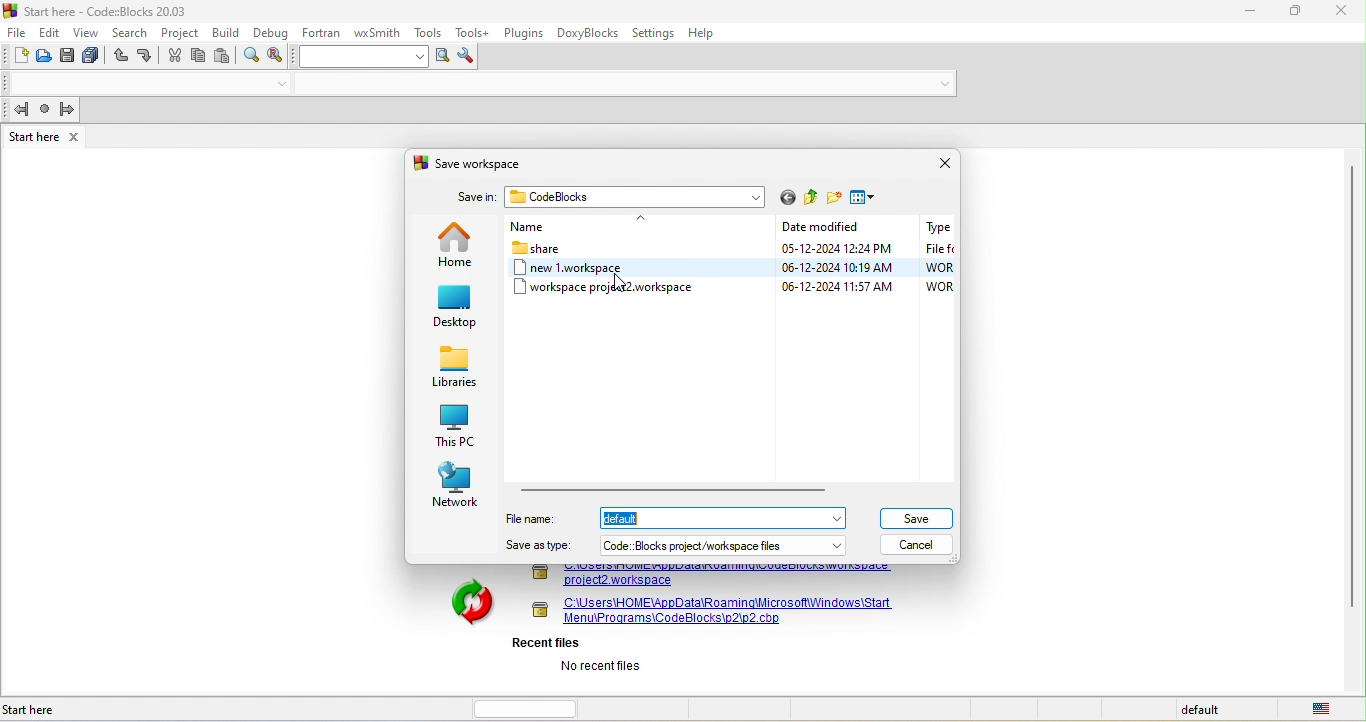 Image resolution: width=1366 pixels, height=722 pixels. What do you see at coordinates (531, 707) in the screenshot?
I see `horizontal scroll bar` at bounding box center [531, 707].